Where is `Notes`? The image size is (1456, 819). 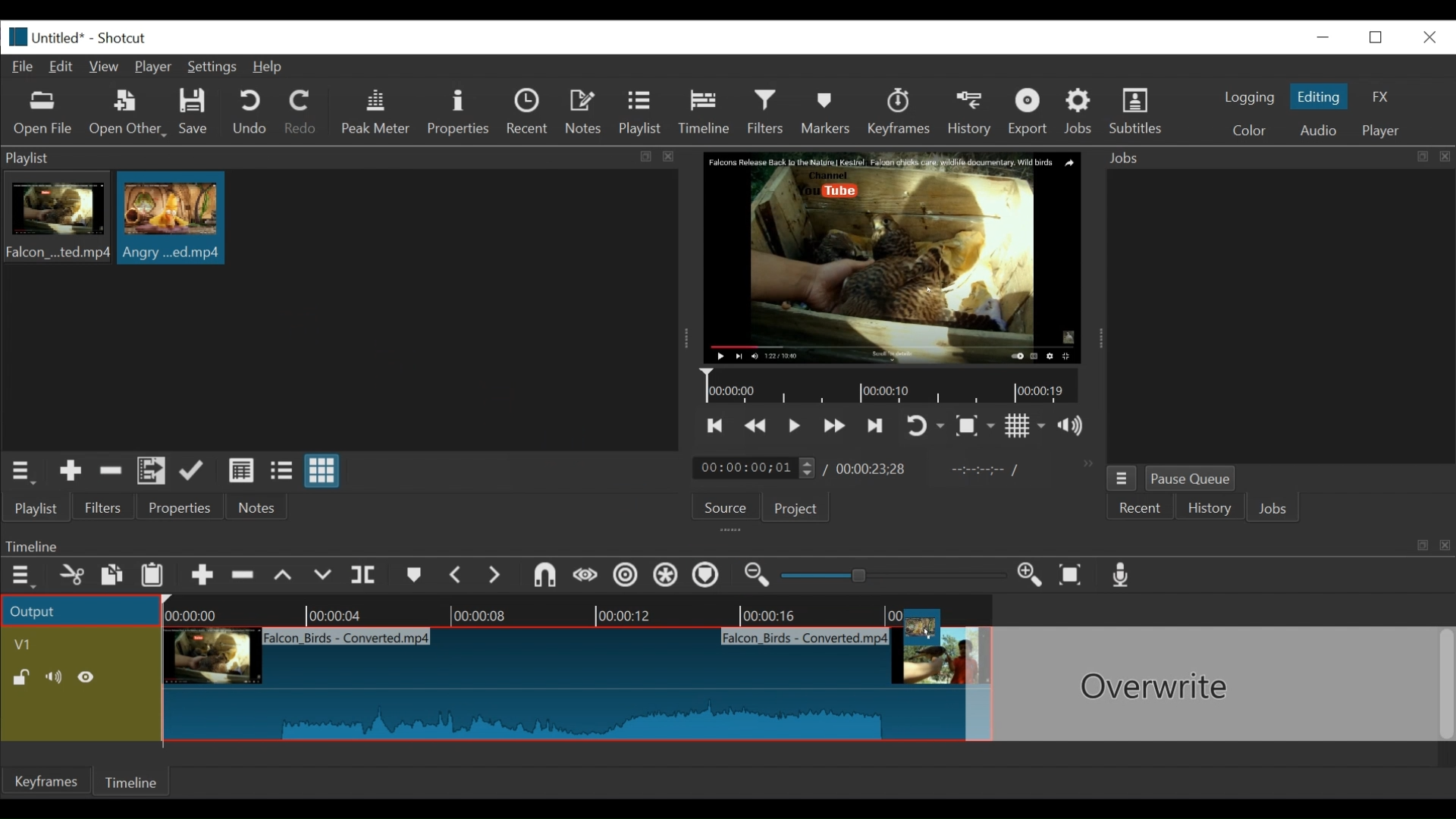 Notes is located at coordinates (257, 507).